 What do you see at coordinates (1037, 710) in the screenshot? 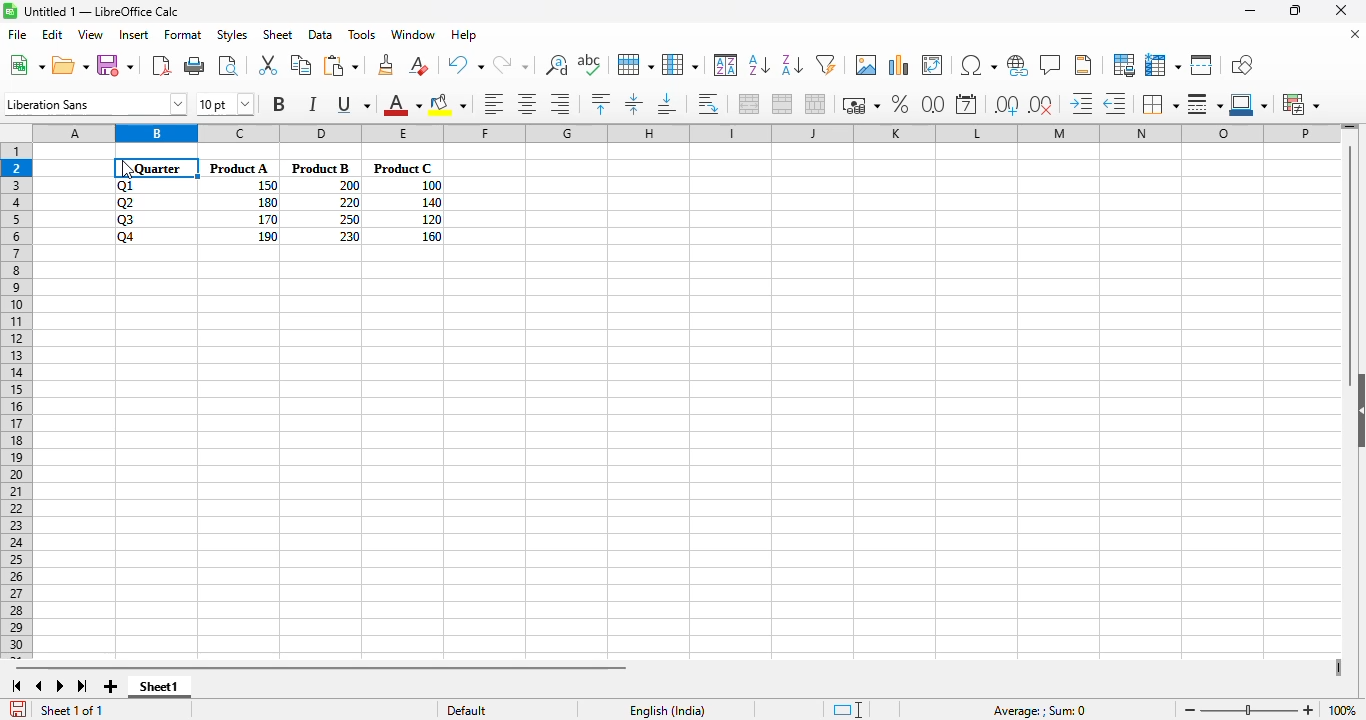
I see `Average: ; Sum: 0` at bounding box center [1037, 710].